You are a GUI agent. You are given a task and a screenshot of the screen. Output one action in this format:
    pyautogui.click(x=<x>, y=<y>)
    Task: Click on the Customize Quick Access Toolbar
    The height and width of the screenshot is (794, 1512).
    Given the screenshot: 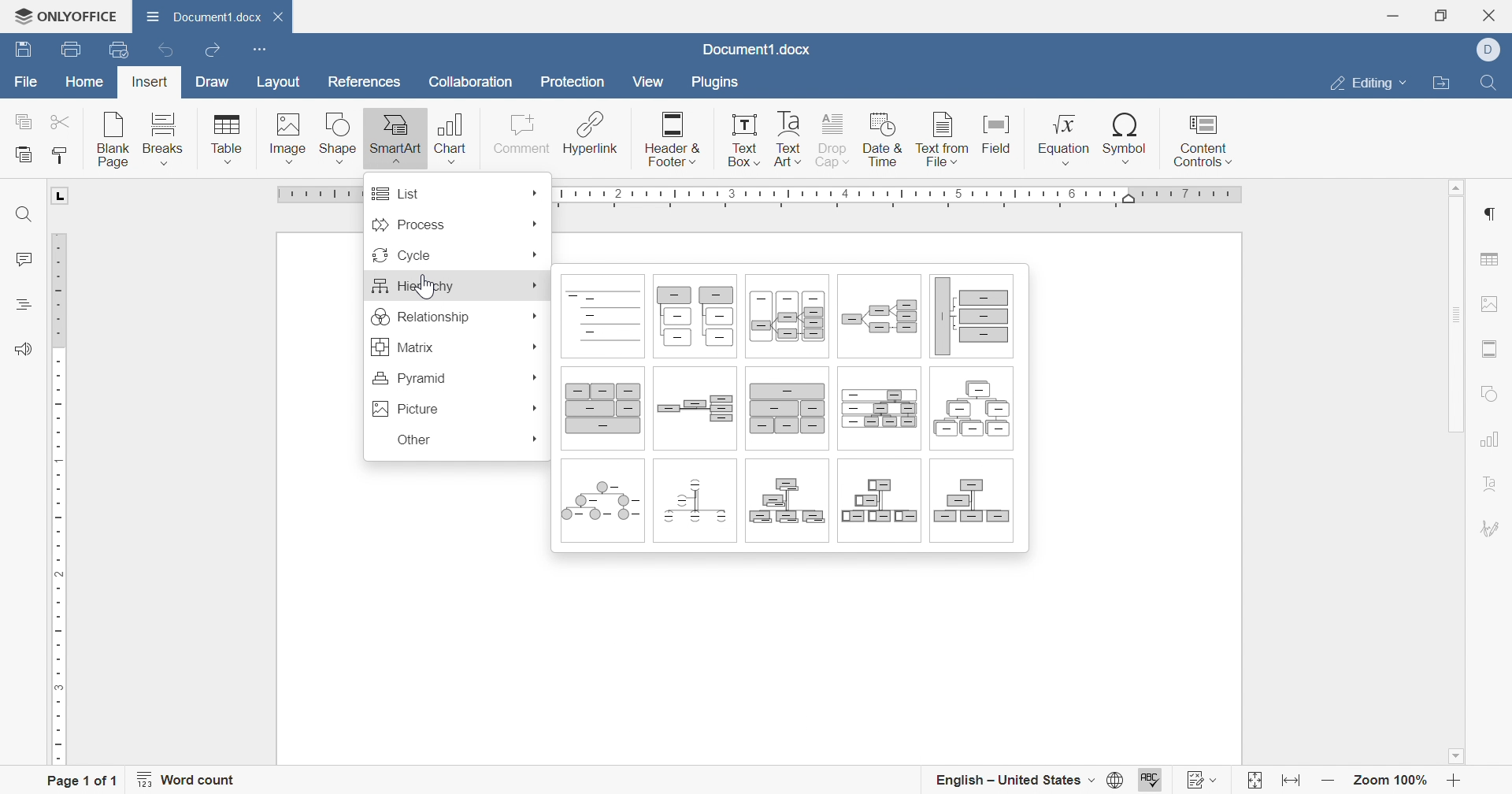 What is the action you would take?
    pyautogui.click(x=256, y=50)
    